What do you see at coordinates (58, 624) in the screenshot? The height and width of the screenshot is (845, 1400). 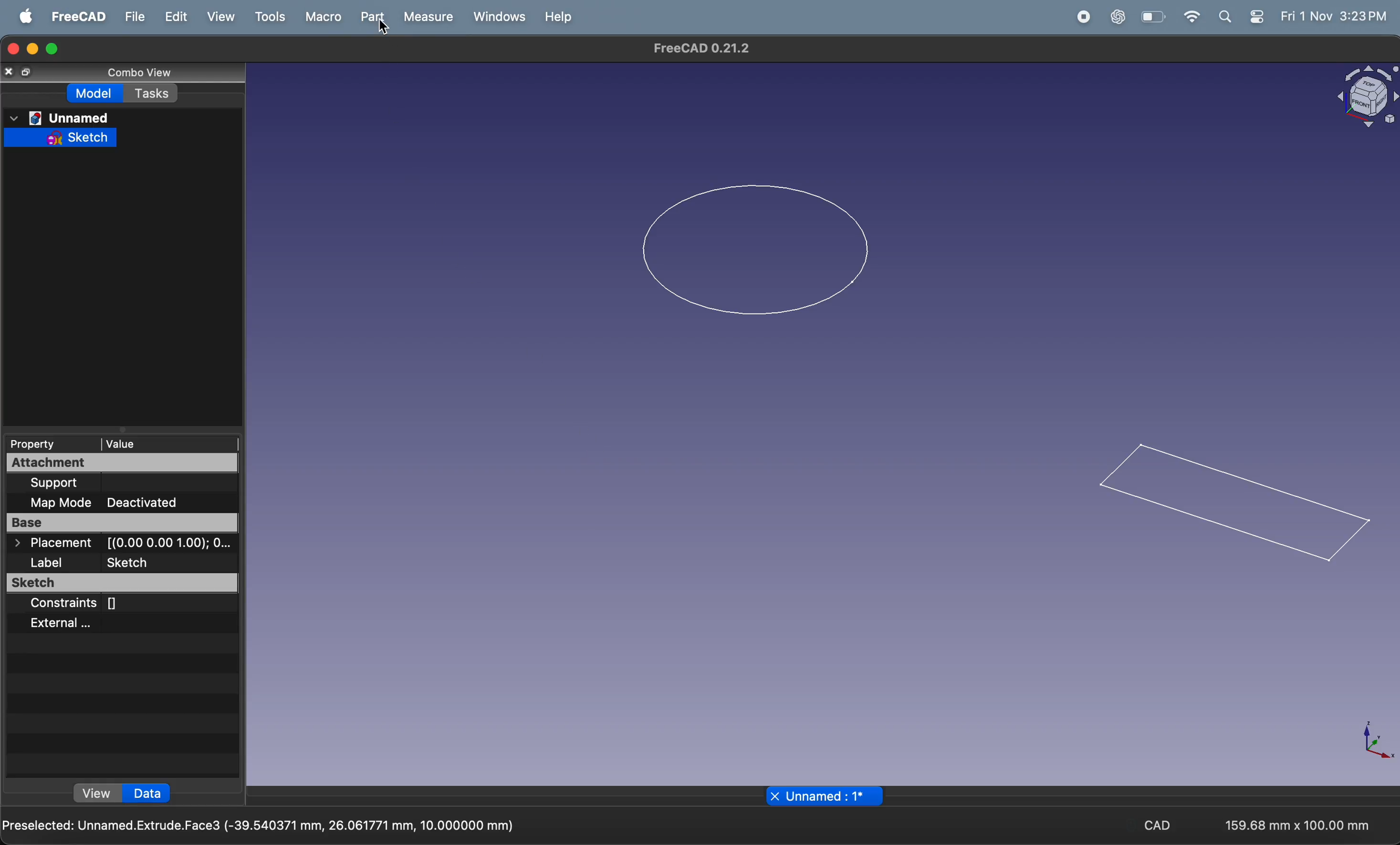 I see `External ...` at bounding box center [58, 624].